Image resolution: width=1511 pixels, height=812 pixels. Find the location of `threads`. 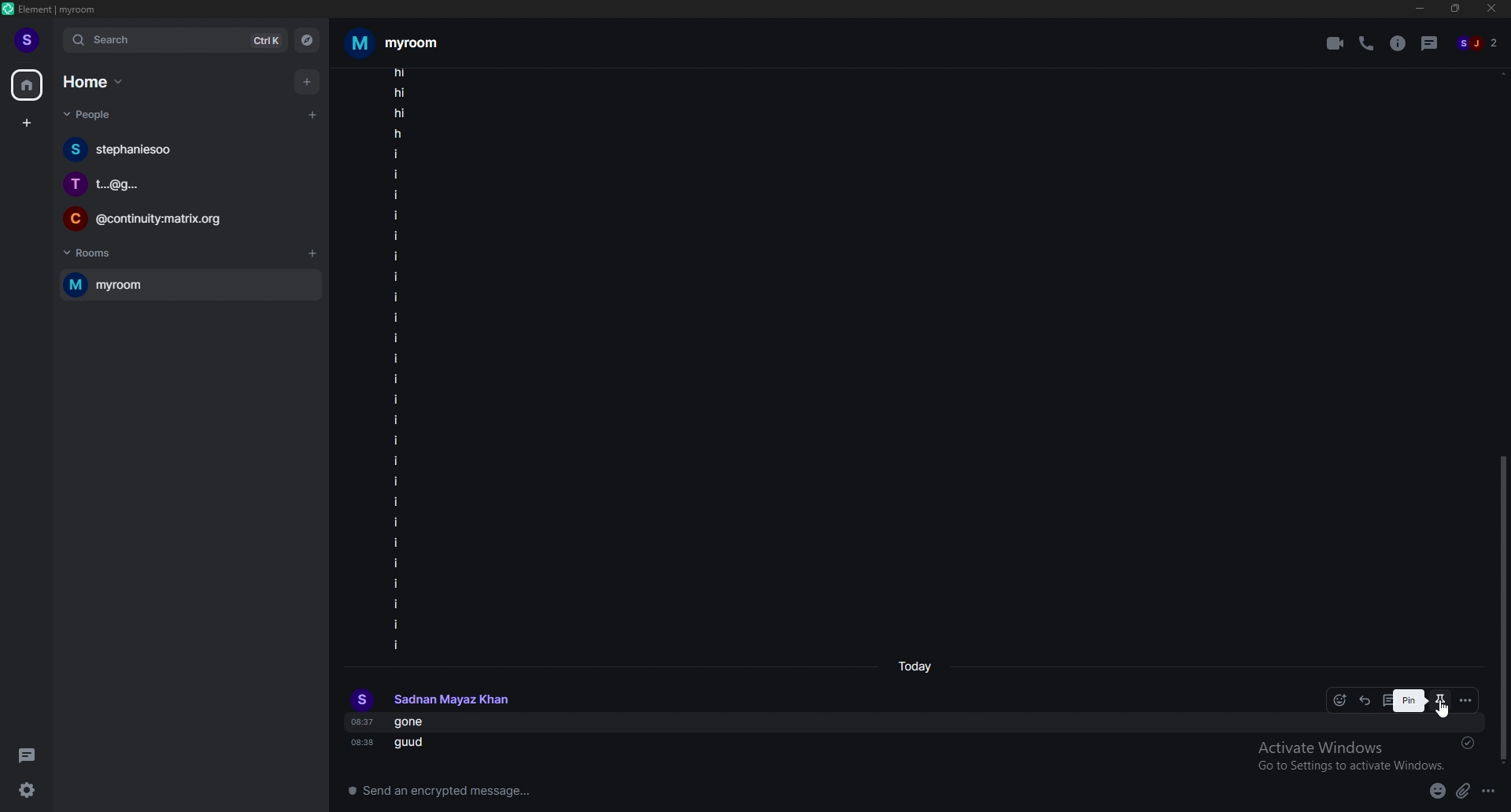

threads is located at coordinates (28, 754).